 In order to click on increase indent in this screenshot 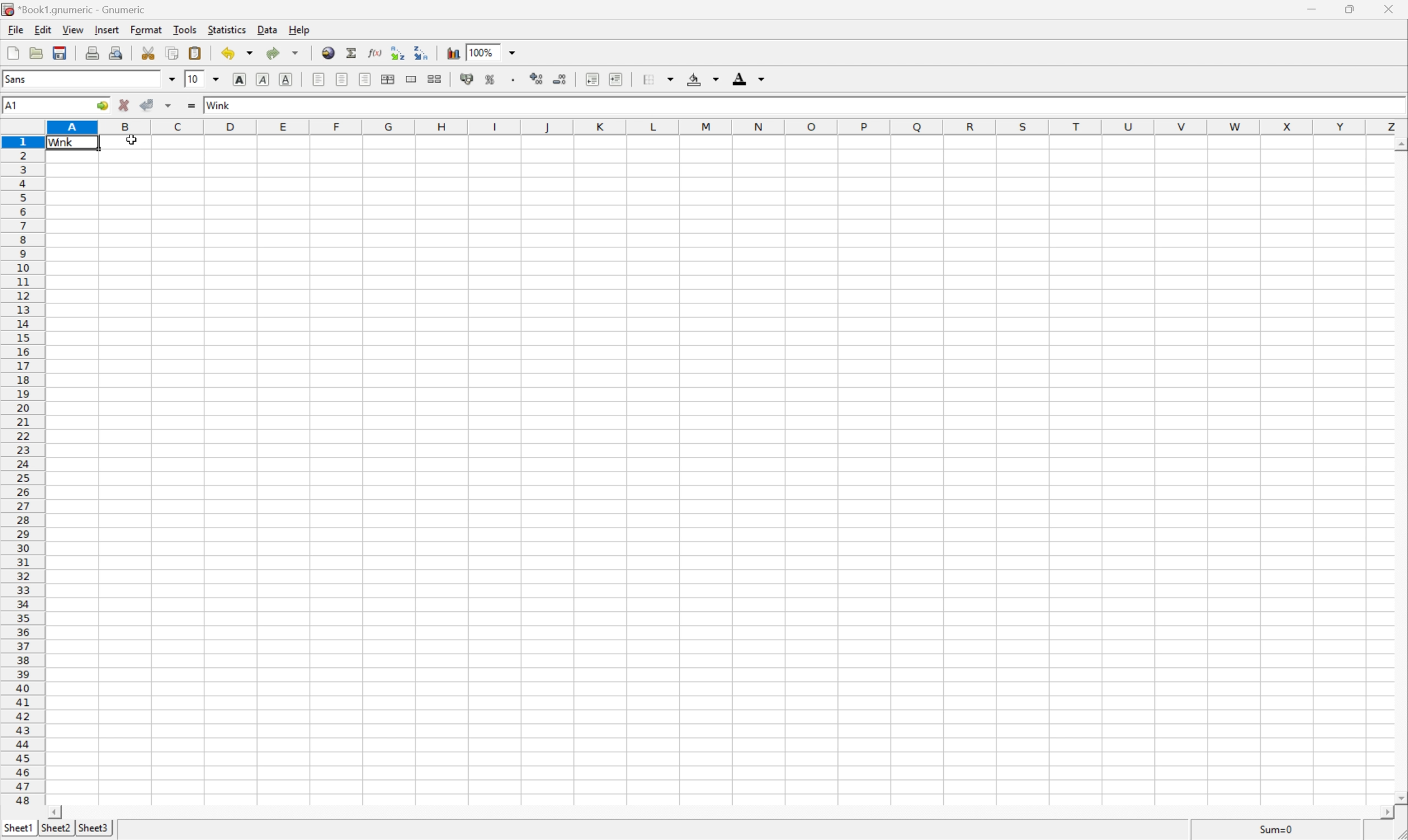, I will do `click(617, 78)`.